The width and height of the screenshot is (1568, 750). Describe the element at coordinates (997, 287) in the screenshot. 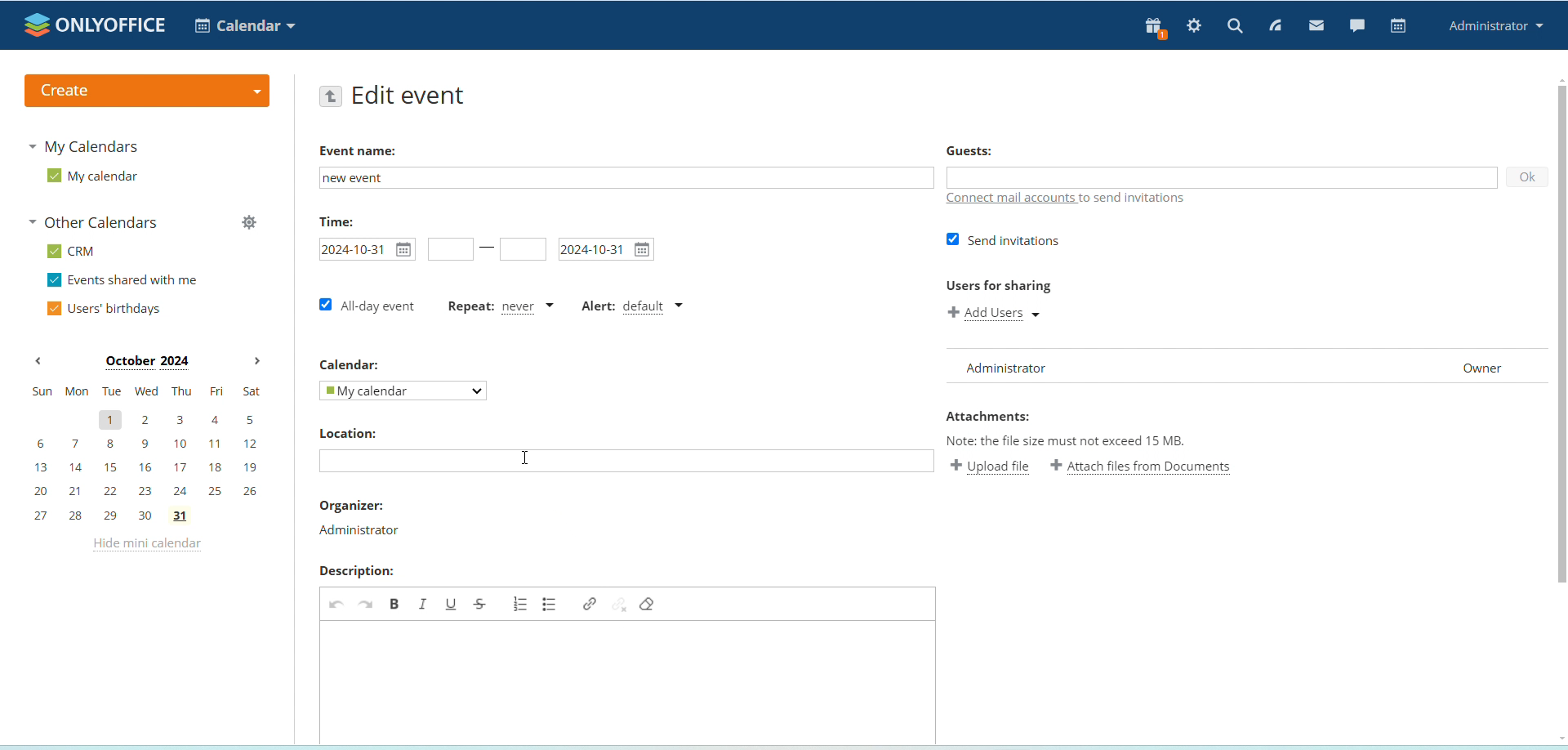

I see `Users for sharing` at that location.